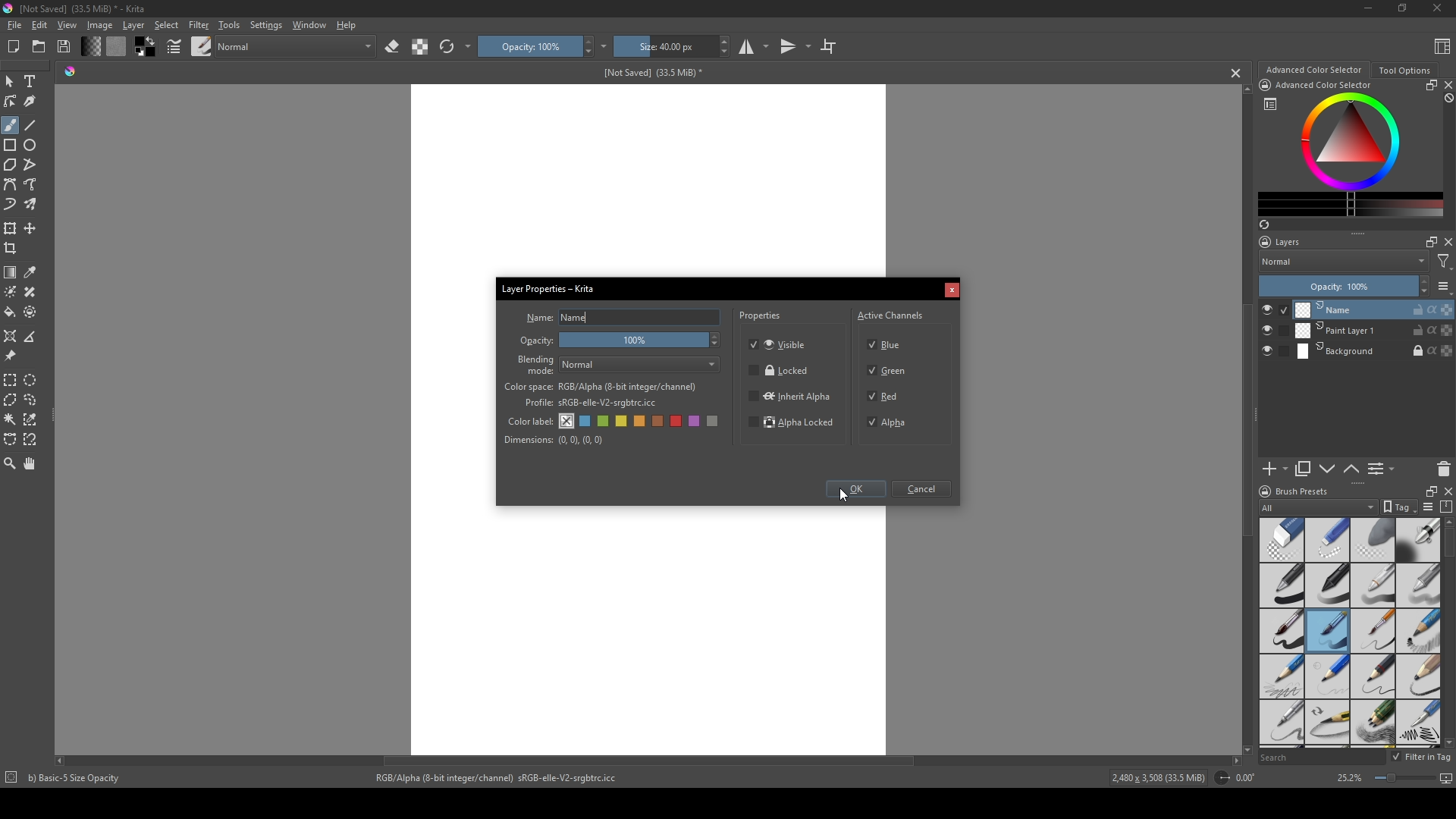 Image resolution: width=1456 pixels, height=819 pixels. What do you see at coordinates (789, 395) in the screenshot?
I see `Inherit alpha` at bounding box center [789, 395].